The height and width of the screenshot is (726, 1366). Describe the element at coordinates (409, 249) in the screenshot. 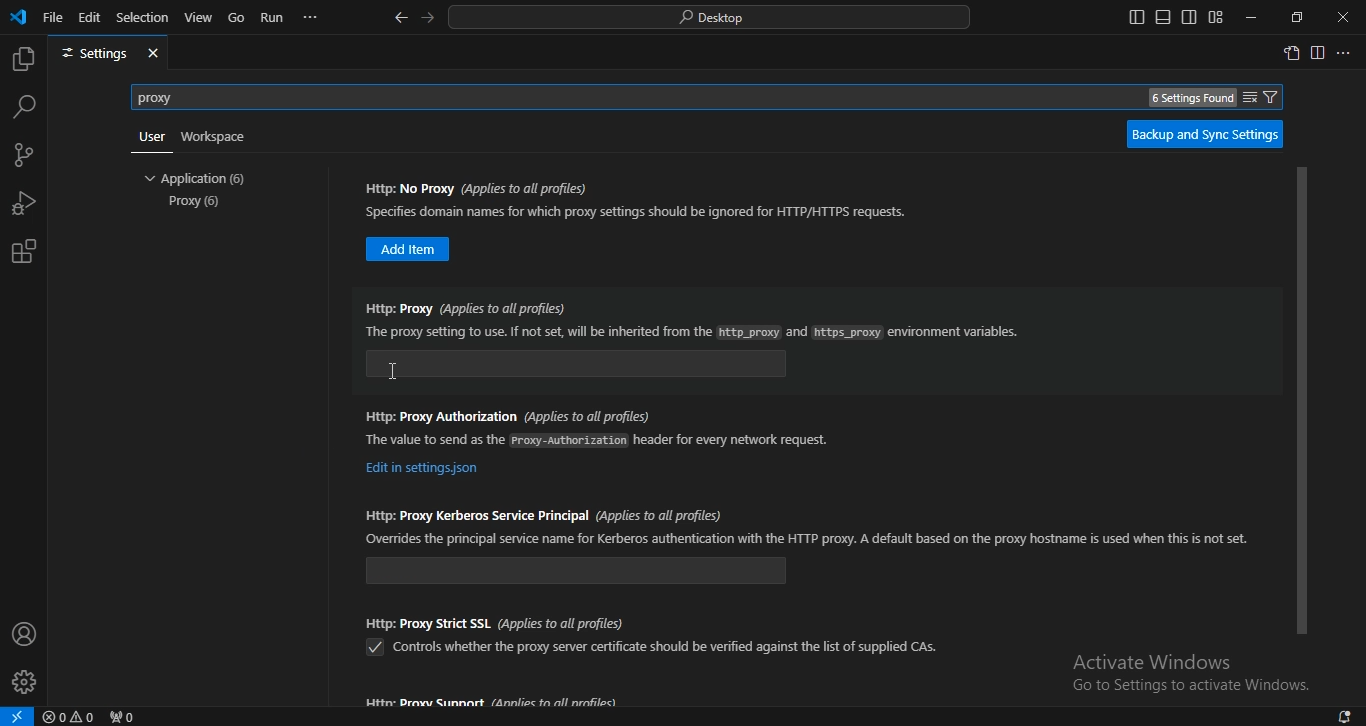

I see `https: no proxy` at that location.